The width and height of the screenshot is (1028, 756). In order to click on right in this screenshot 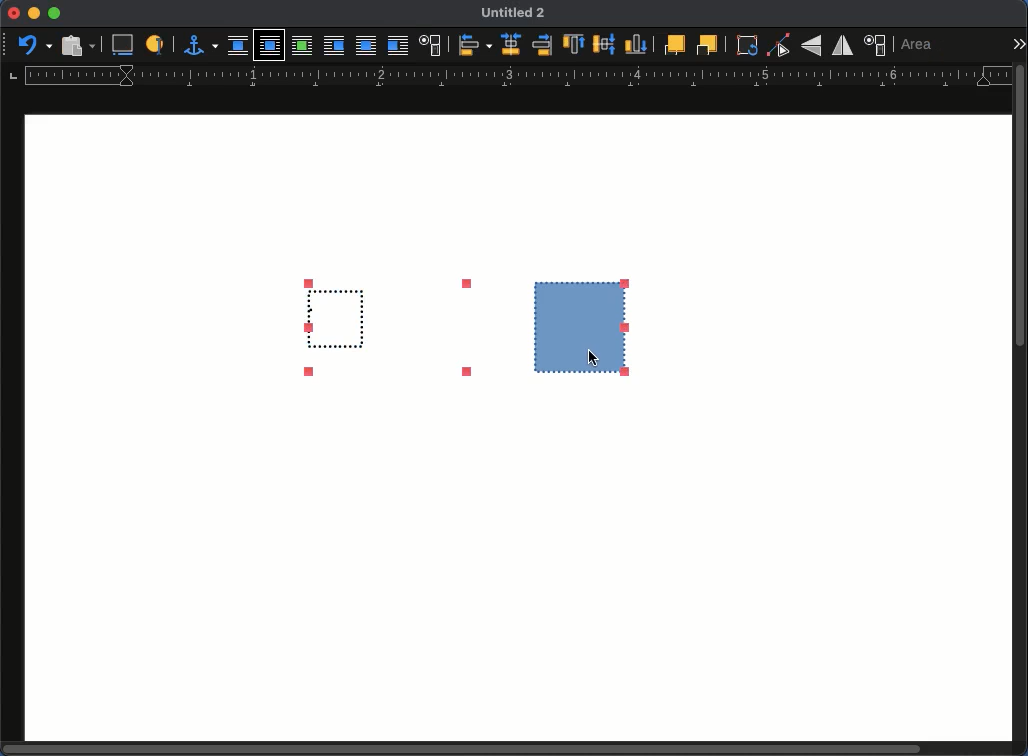, I will do `click(542, 45)`.